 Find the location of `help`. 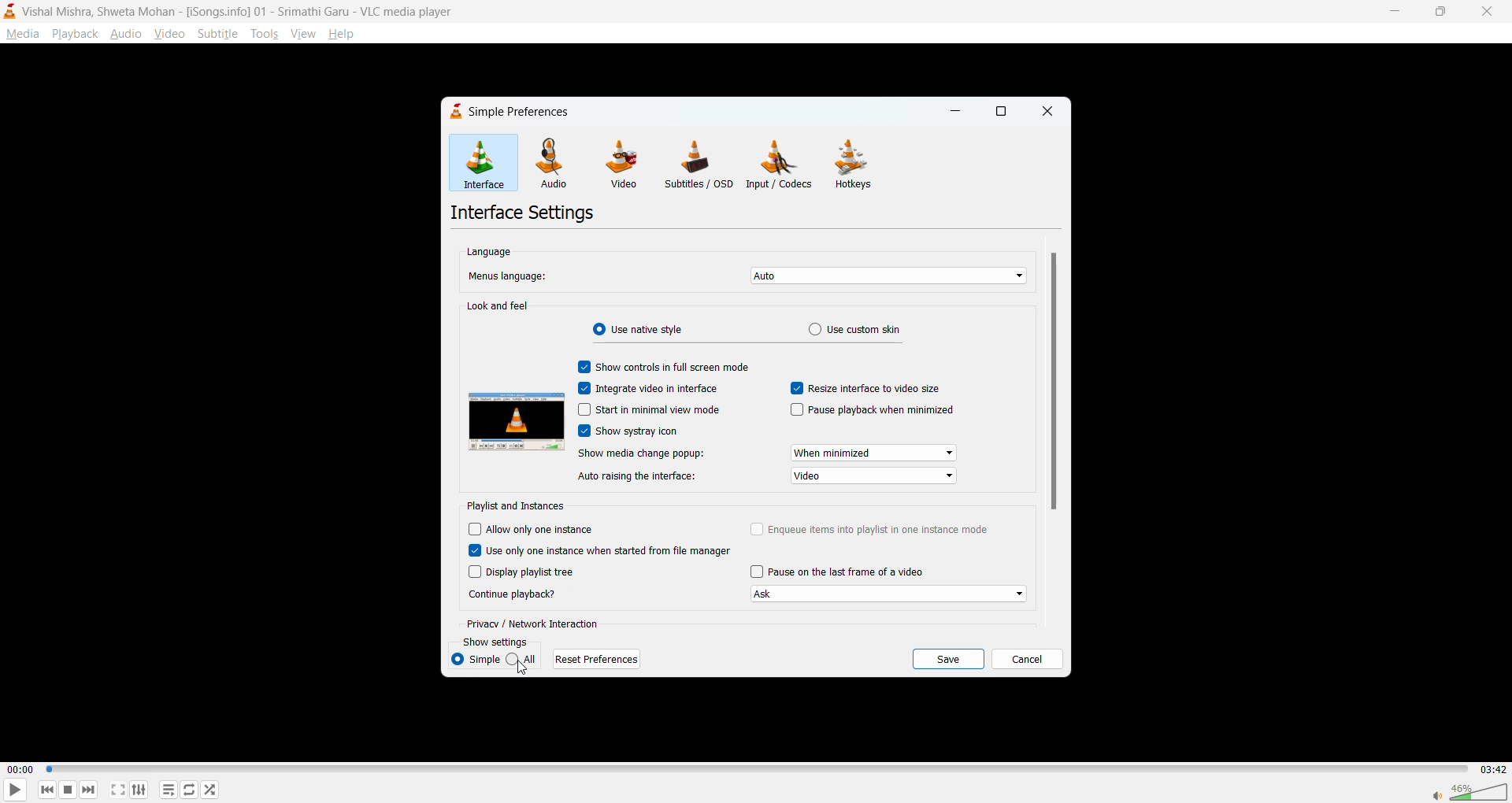

help is located at coordinates (344, 35).